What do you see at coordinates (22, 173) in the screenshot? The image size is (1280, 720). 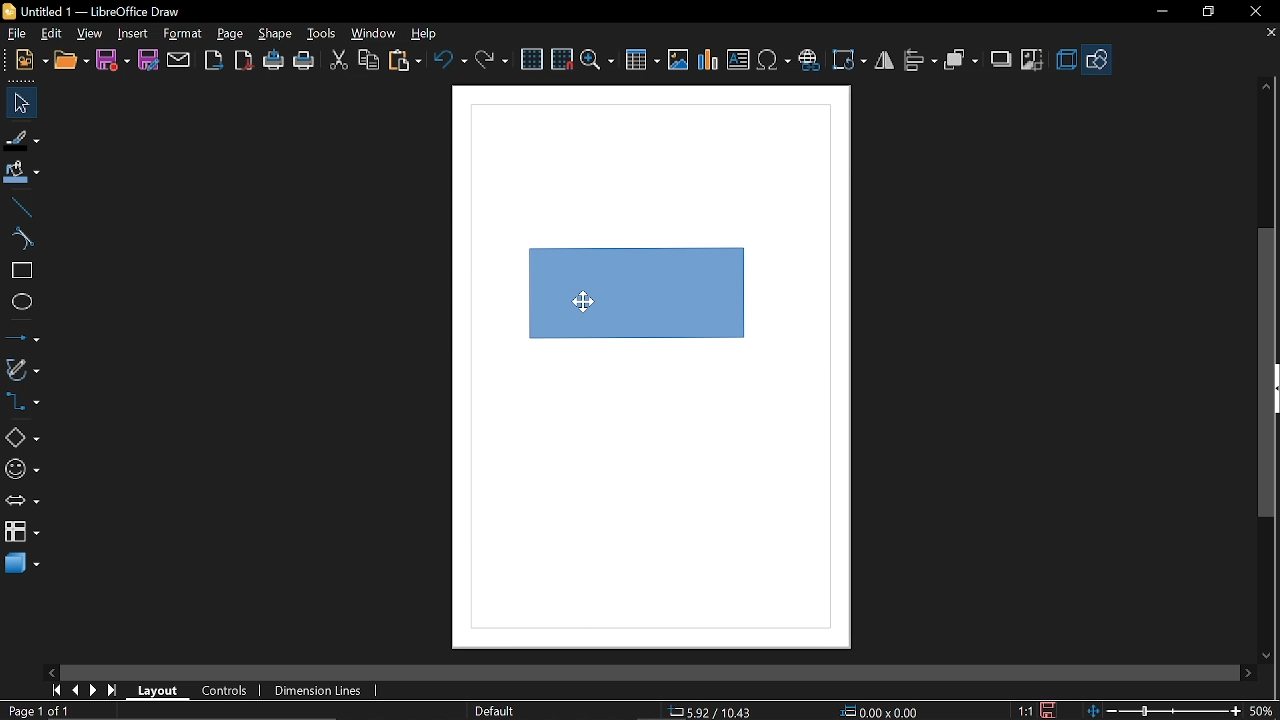 I see `Fill color` at bounding box center [22, 173].